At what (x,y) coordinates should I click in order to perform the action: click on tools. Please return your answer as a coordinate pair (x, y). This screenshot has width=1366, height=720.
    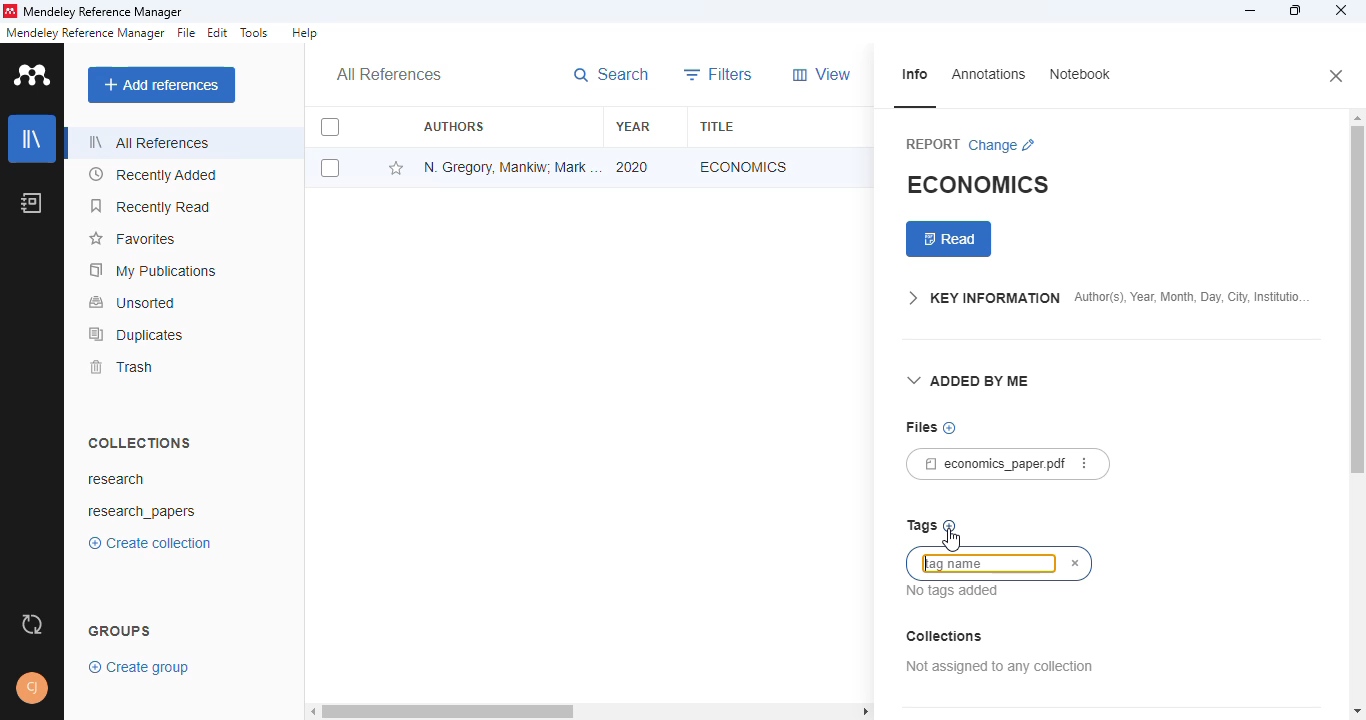
    Looking at the image, I should click on (256, 33).